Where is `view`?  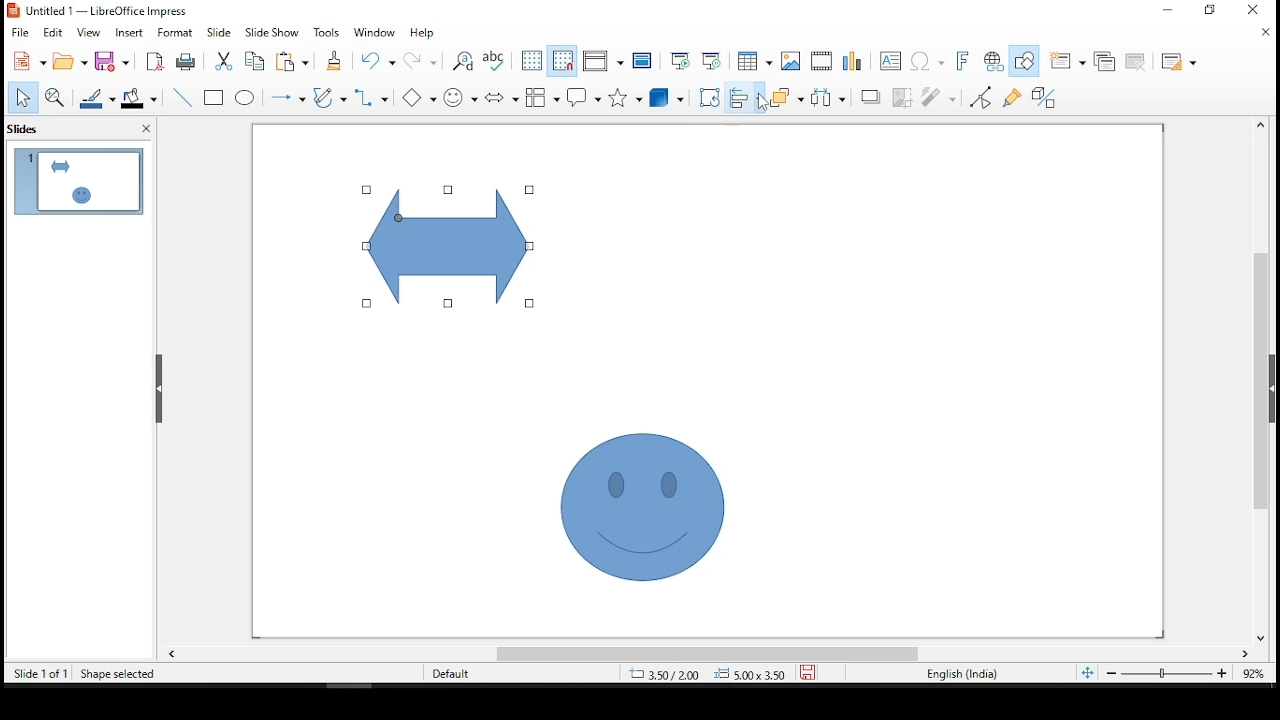 view is located at coordinates (91, 34).